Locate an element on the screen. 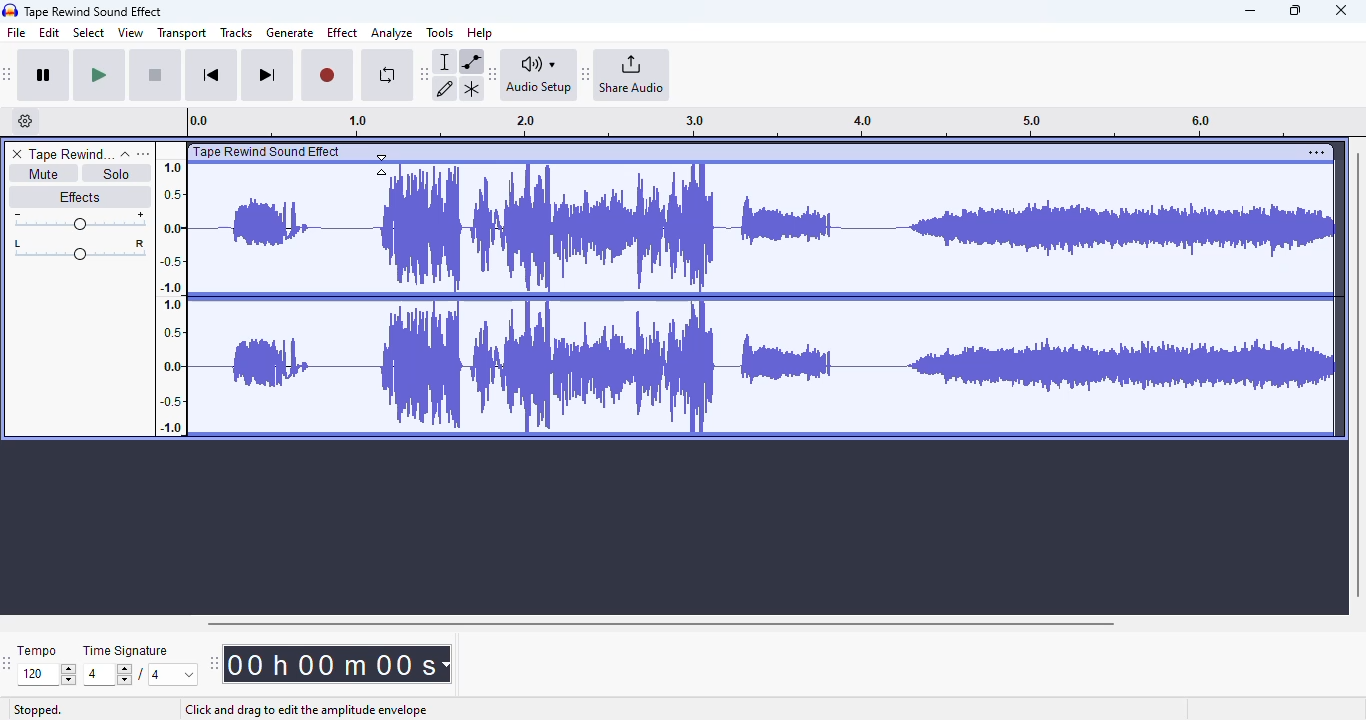 The width and height of the screenshot is (1366, 720). tools is located at coordinates (440, 32).